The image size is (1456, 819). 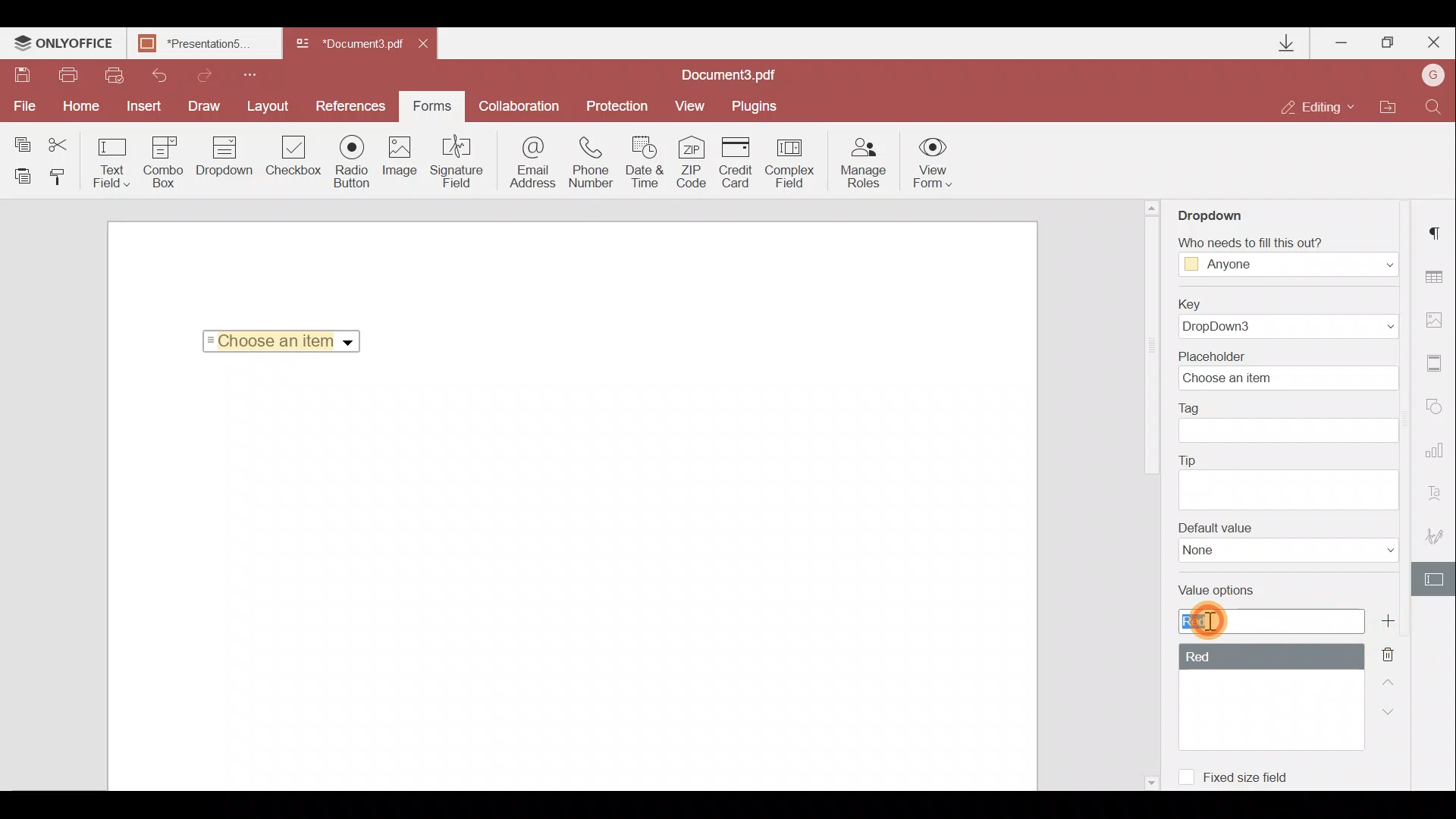 What do you see at coordinates (109, 162) in the screenshot?
I see `Text field` at bounding box center [109, 162].